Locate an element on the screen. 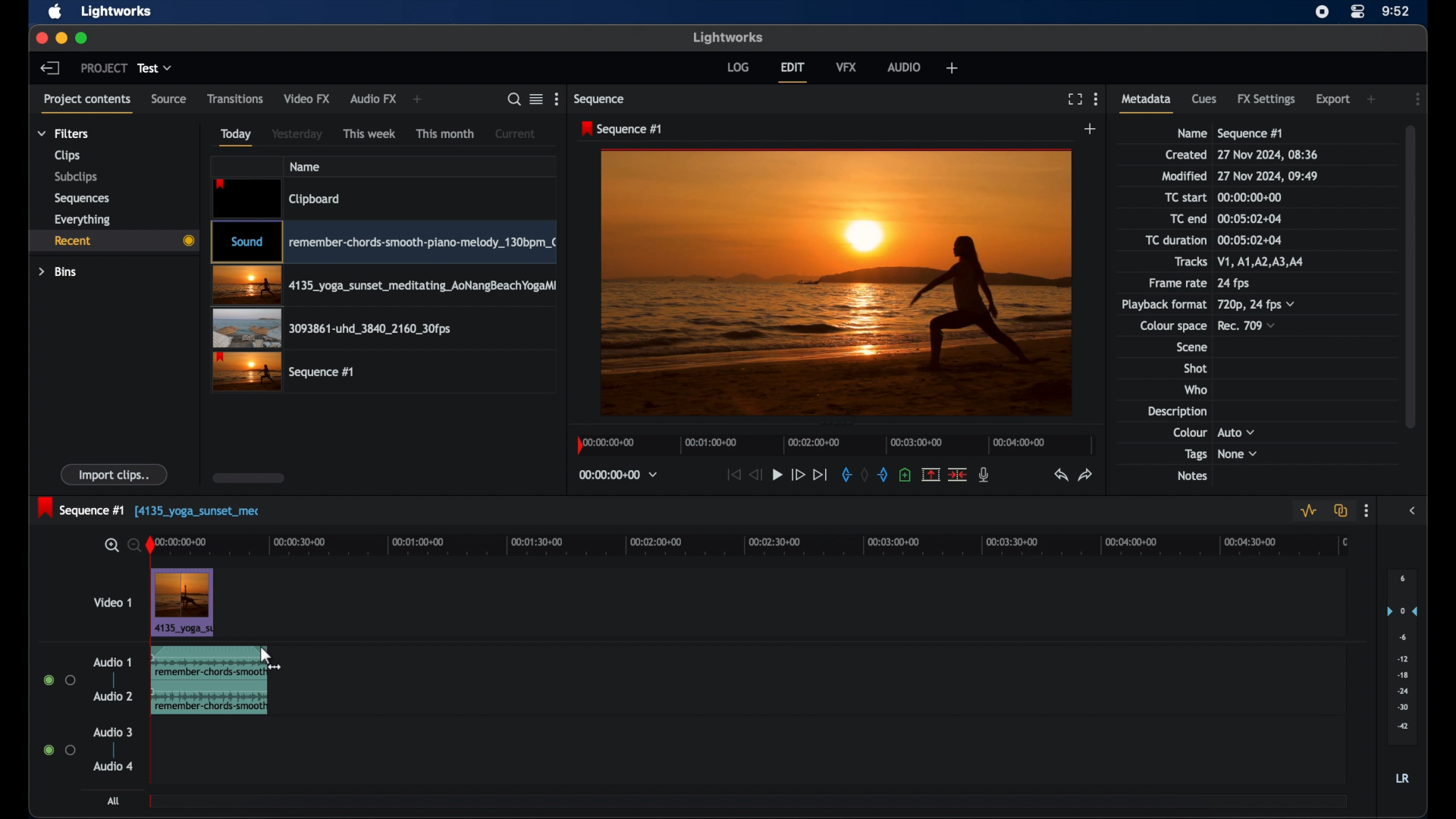 This screenshot has height=819, width=1456. add is located at coordinates (419, 99).